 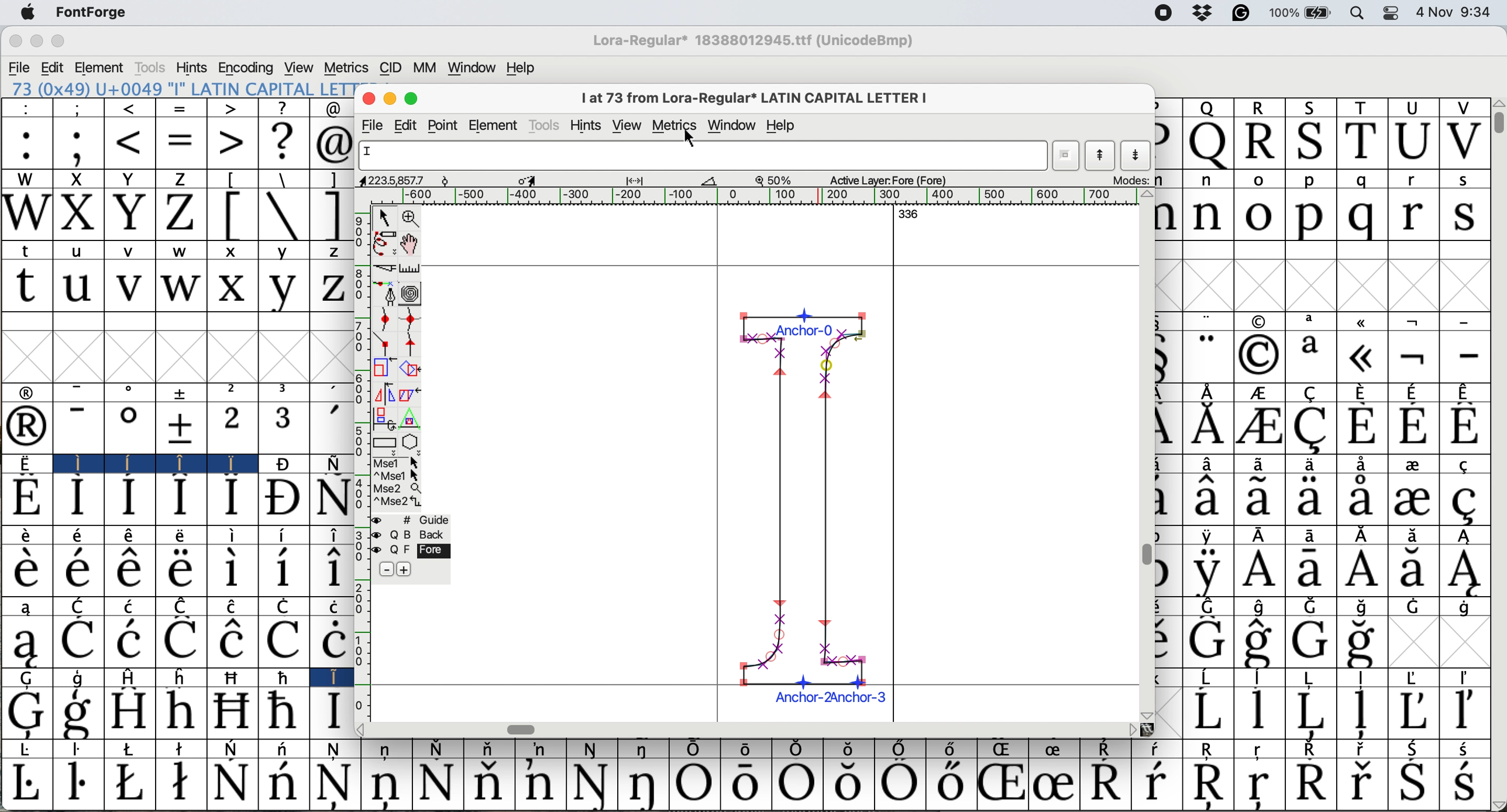 I want to click on Symbol, so click(x=1412, y=710).